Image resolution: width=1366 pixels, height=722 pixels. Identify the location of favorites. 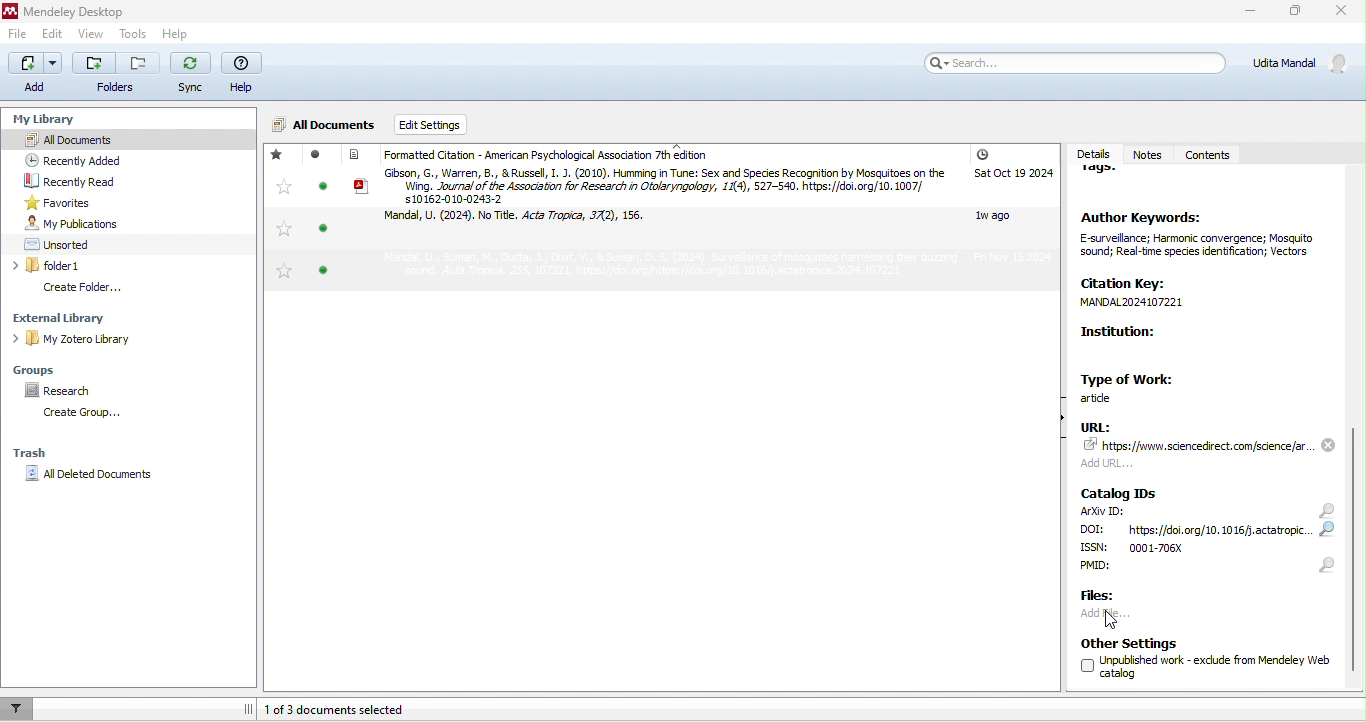
(59, 202).